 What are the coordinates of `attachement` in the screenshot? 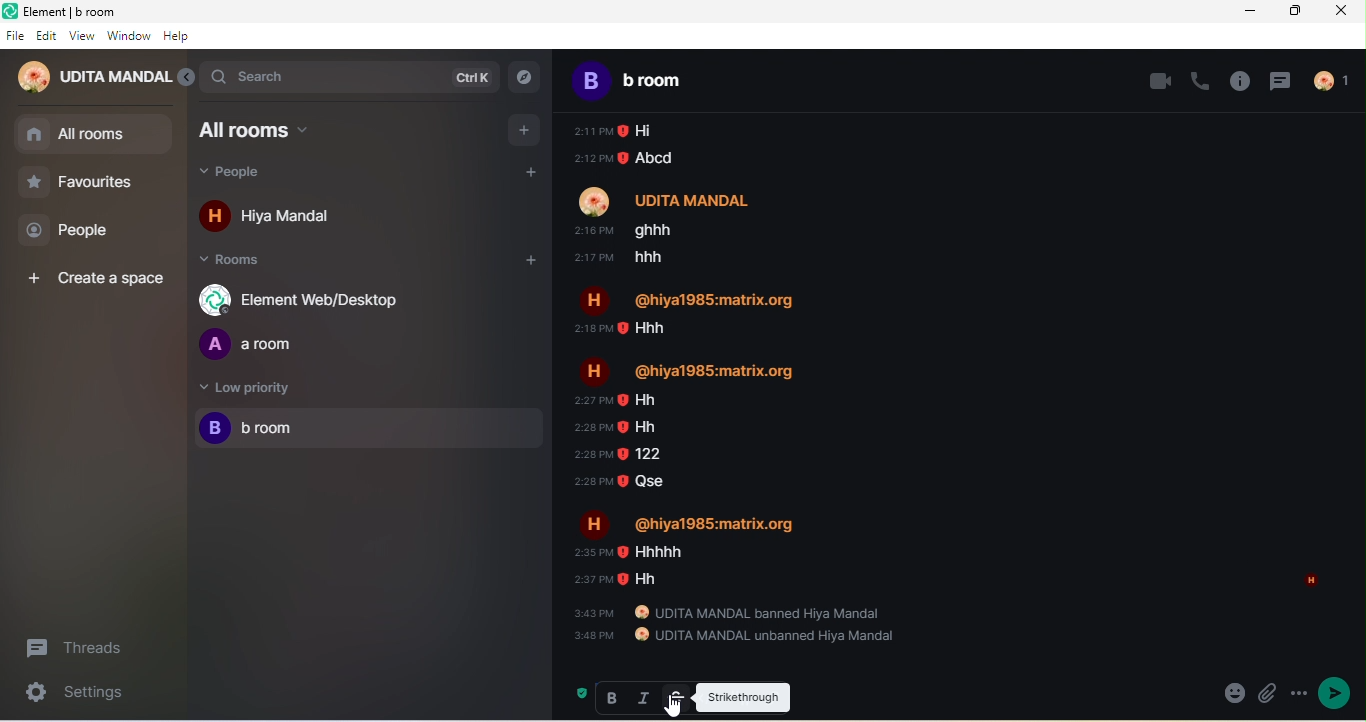 It's located at (1235, 694).